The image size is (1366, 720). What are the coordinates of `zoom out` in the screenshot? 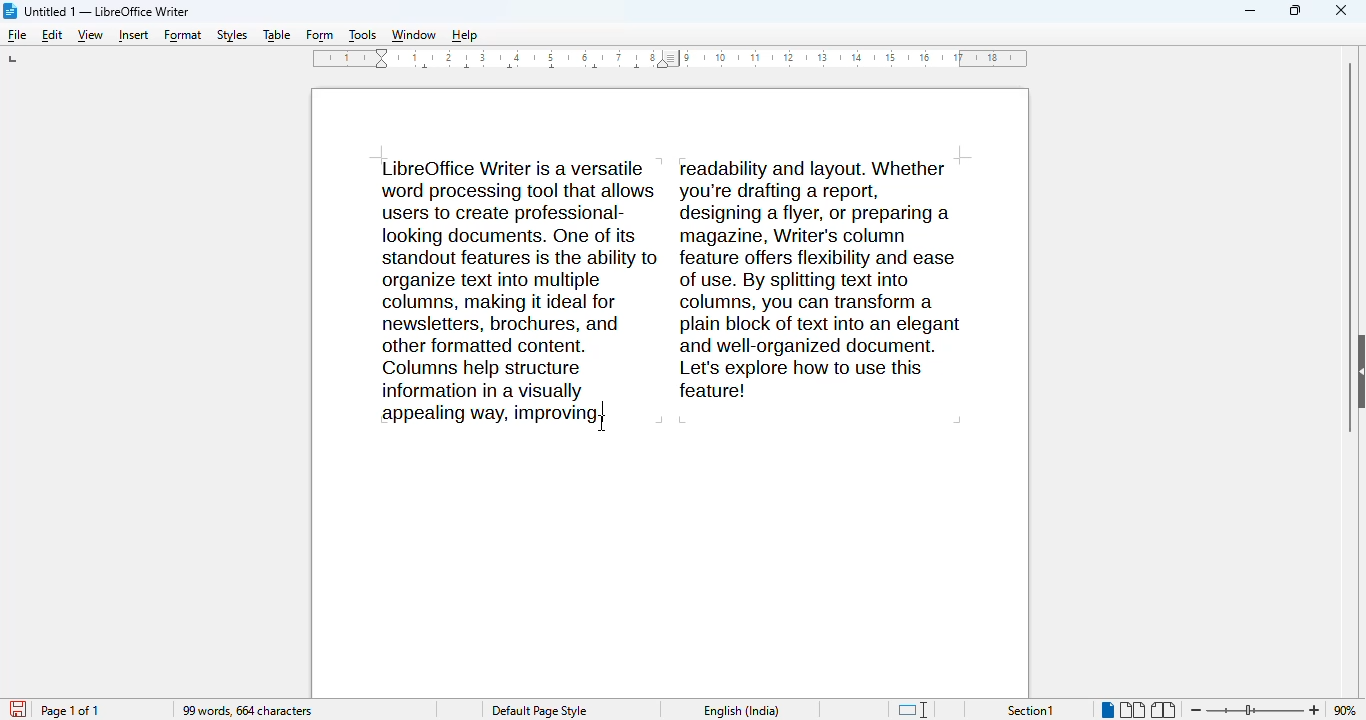 It's located at (1195, 711).